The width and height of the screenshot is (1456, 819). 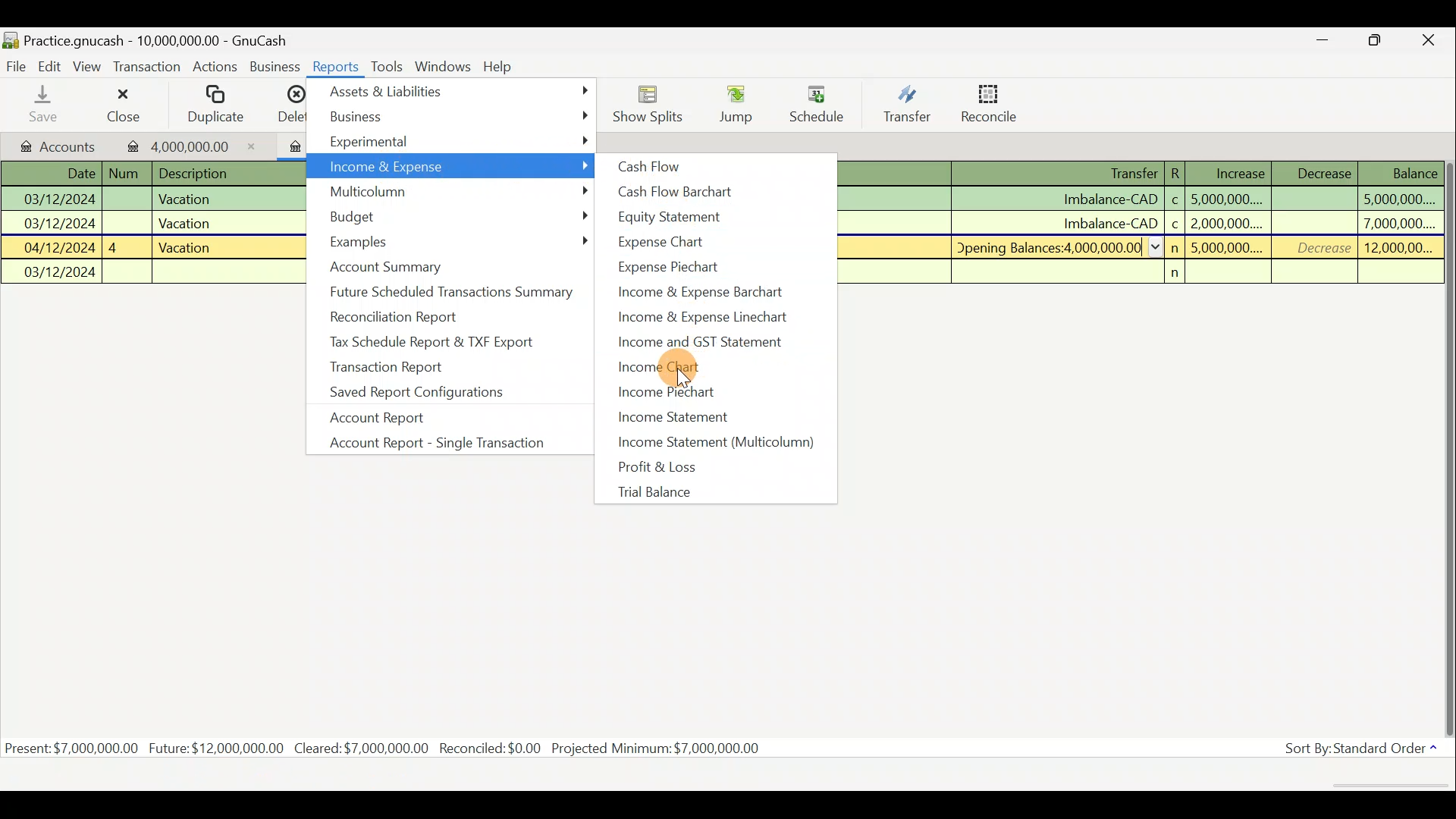 I want to click on File, so click(x=17, y=67).